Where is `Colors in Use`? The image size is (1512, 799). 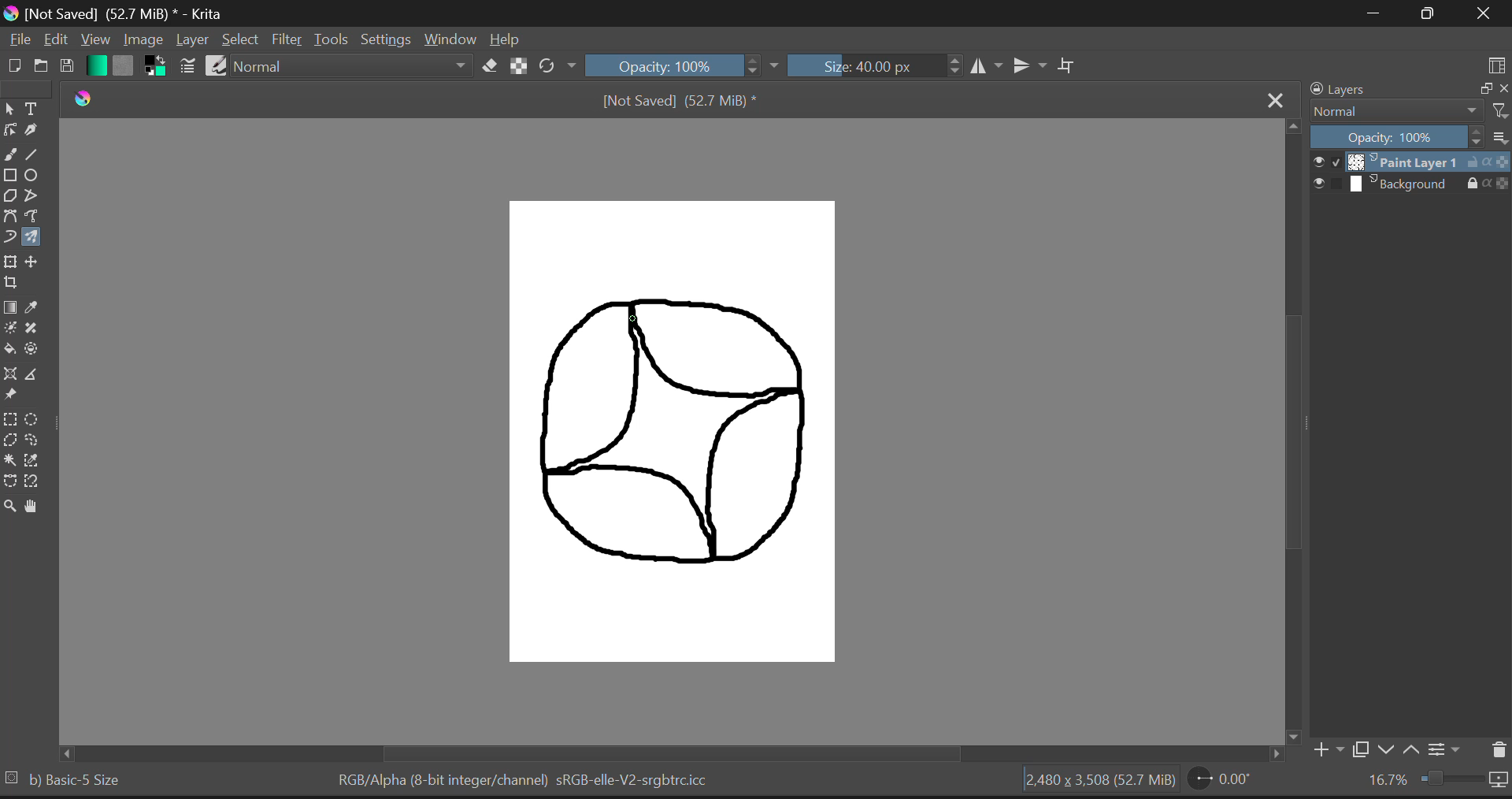 Colors in Use is located at coordinates (154, 65).